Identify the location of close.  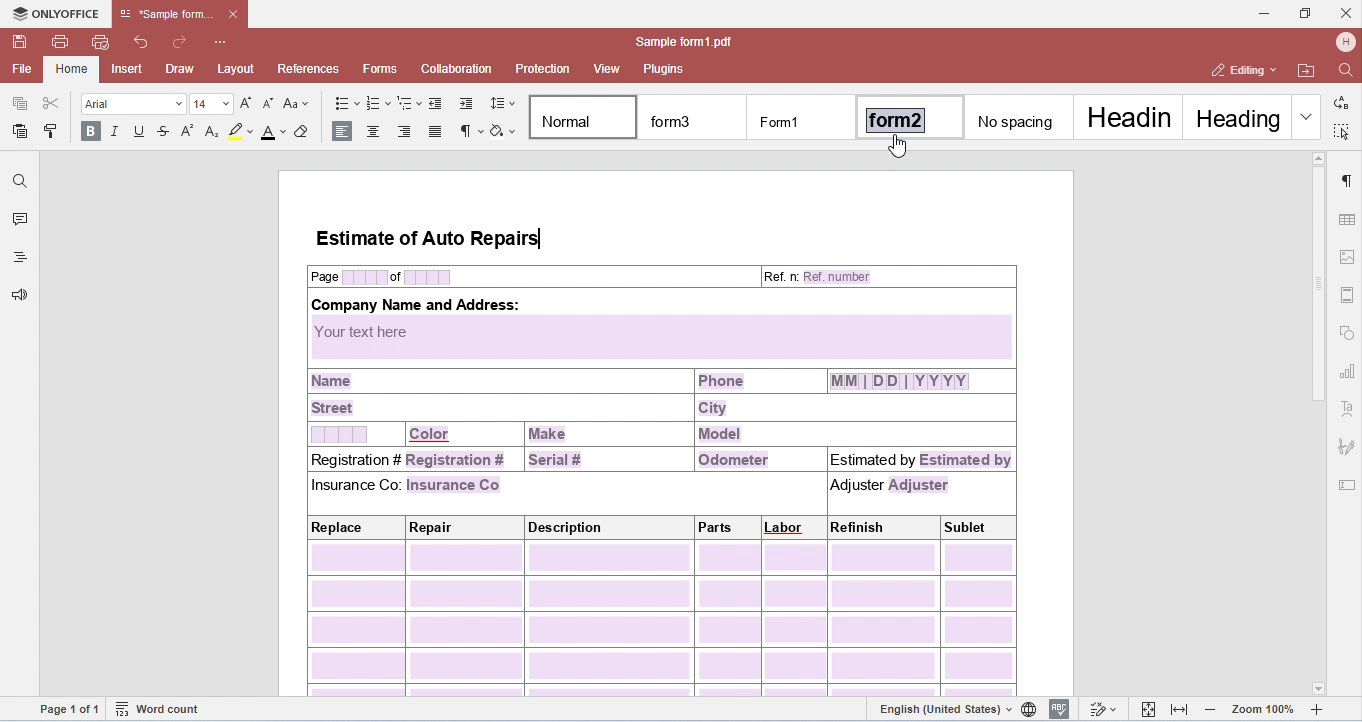
(235, 14).